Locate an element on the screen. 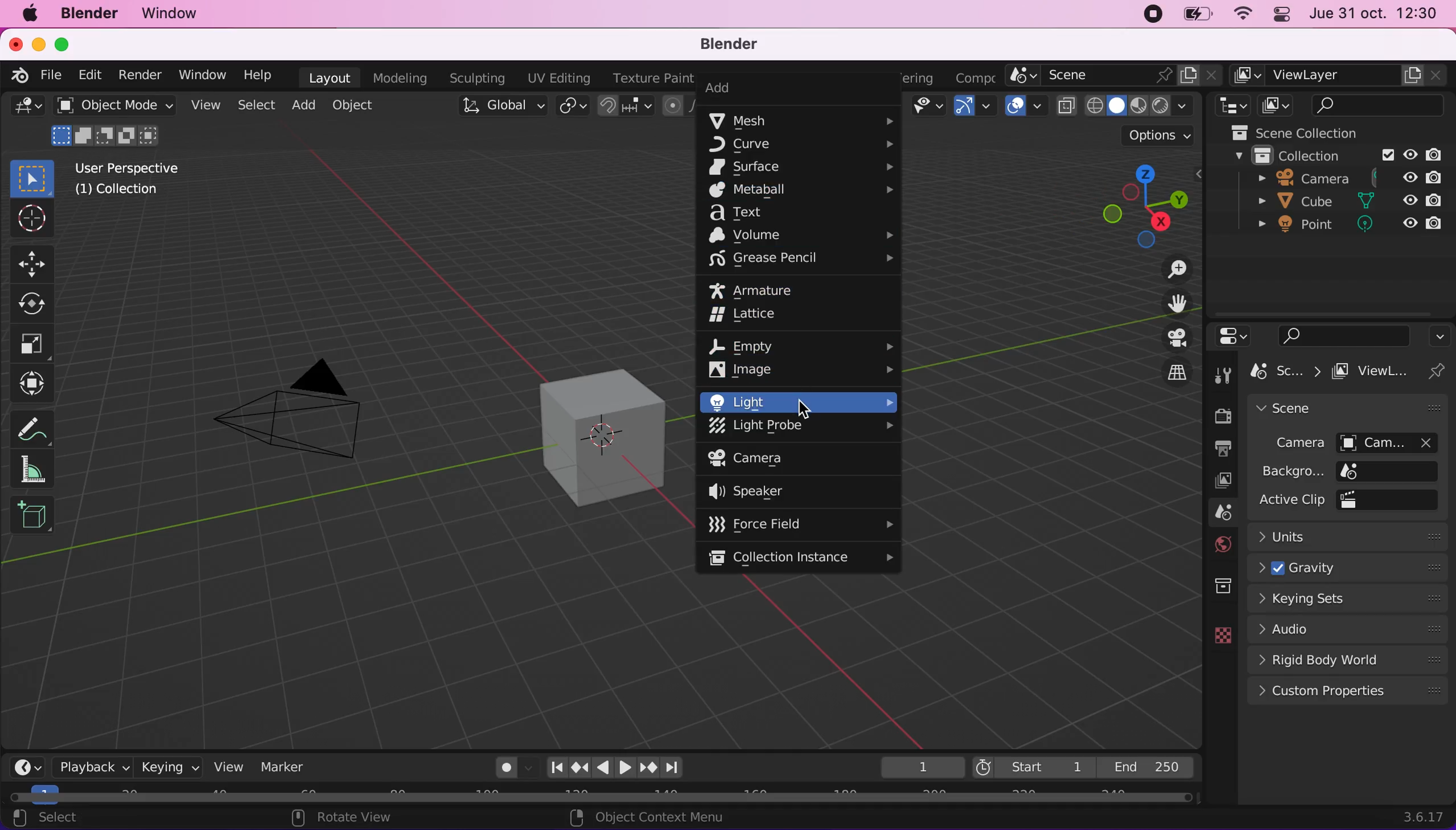  scale is located at coordinates (35, 343).